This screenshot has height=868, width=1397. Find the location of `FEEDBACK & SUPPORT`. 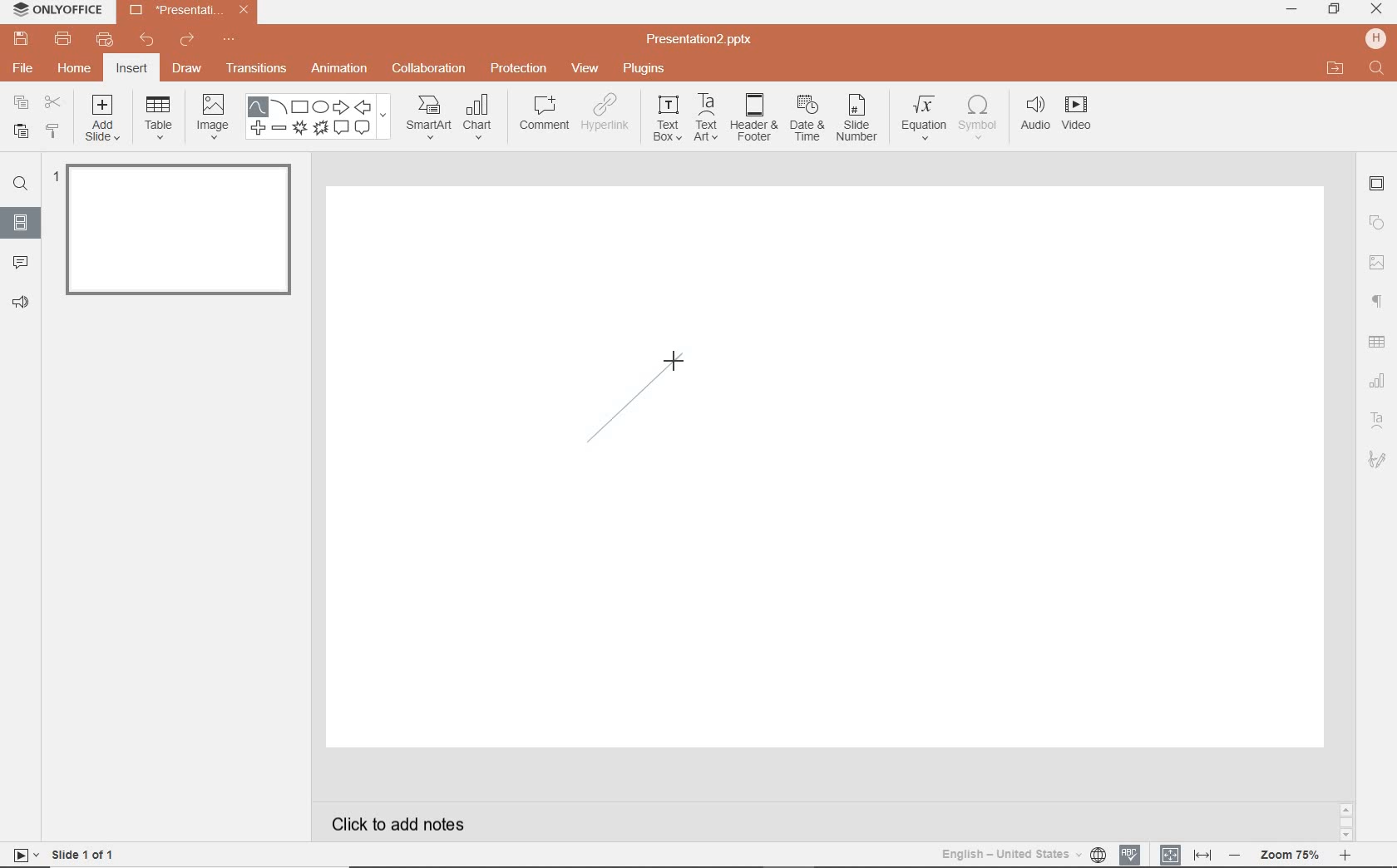

FEEDBACK & SUPPORT is located at coordinates (20, 303).